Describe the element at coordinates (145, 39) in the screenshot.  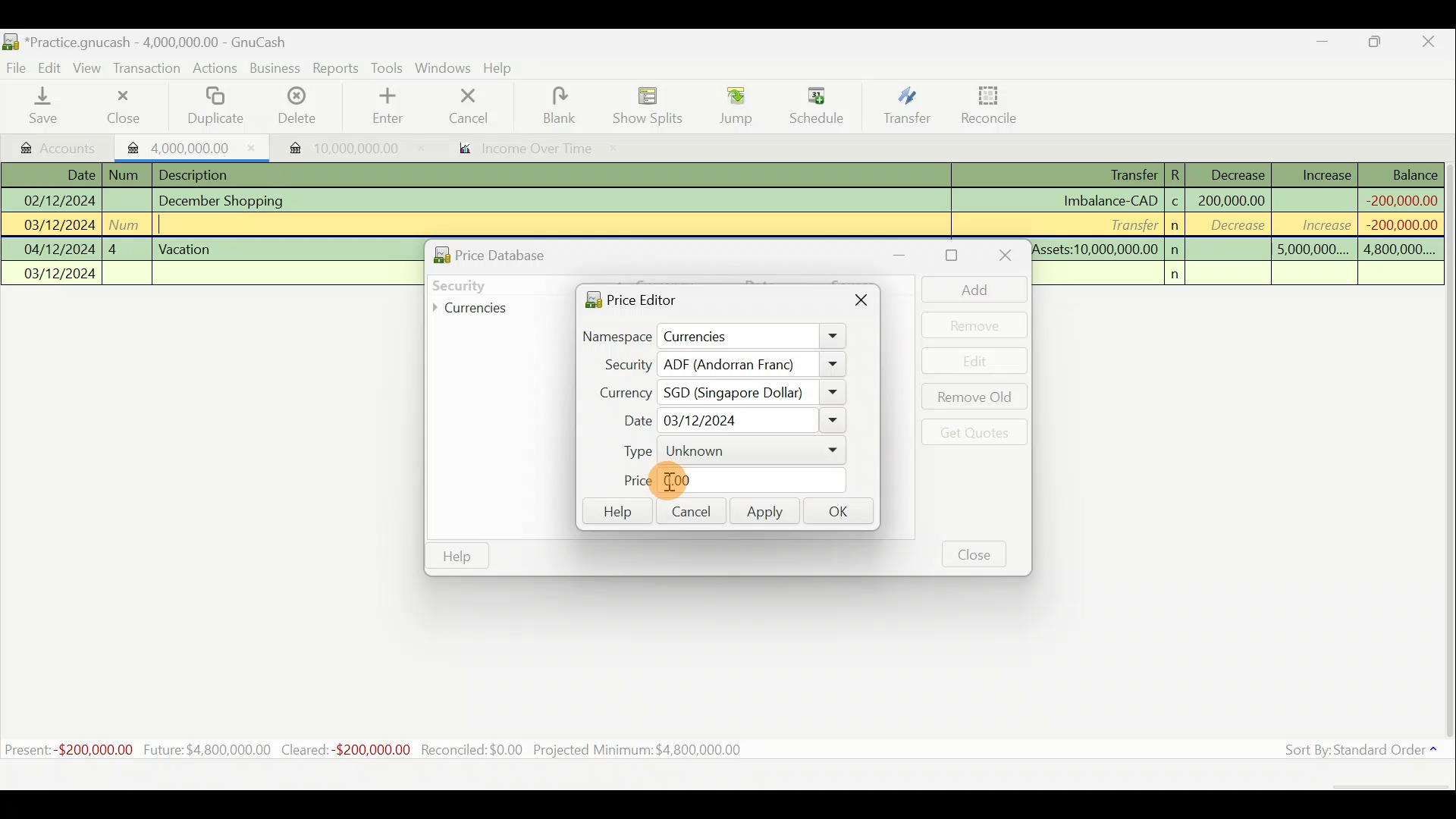
I see `Document name` at that location.